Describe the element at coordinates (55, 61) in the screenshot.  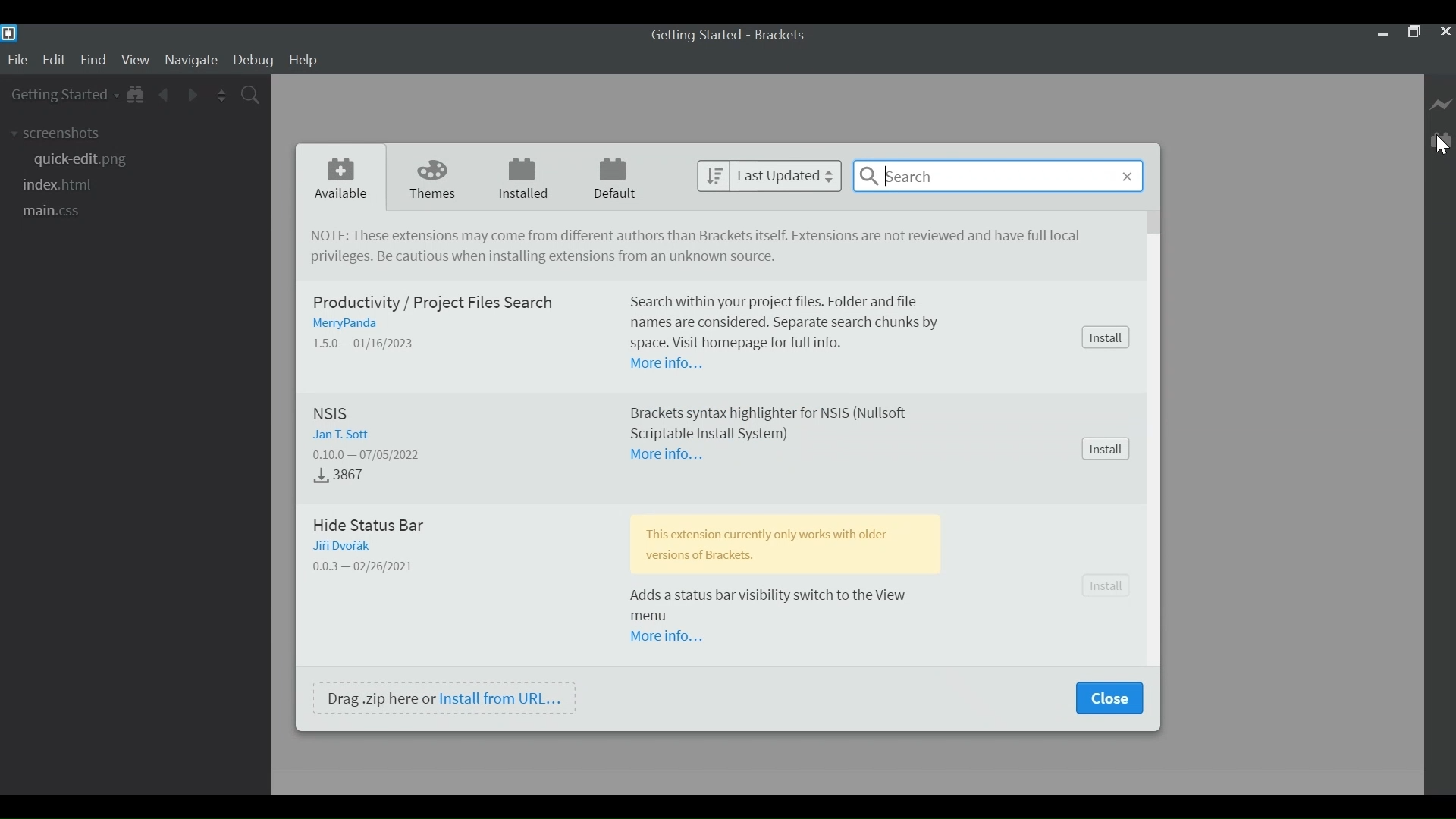
I see `Edit` at that location.